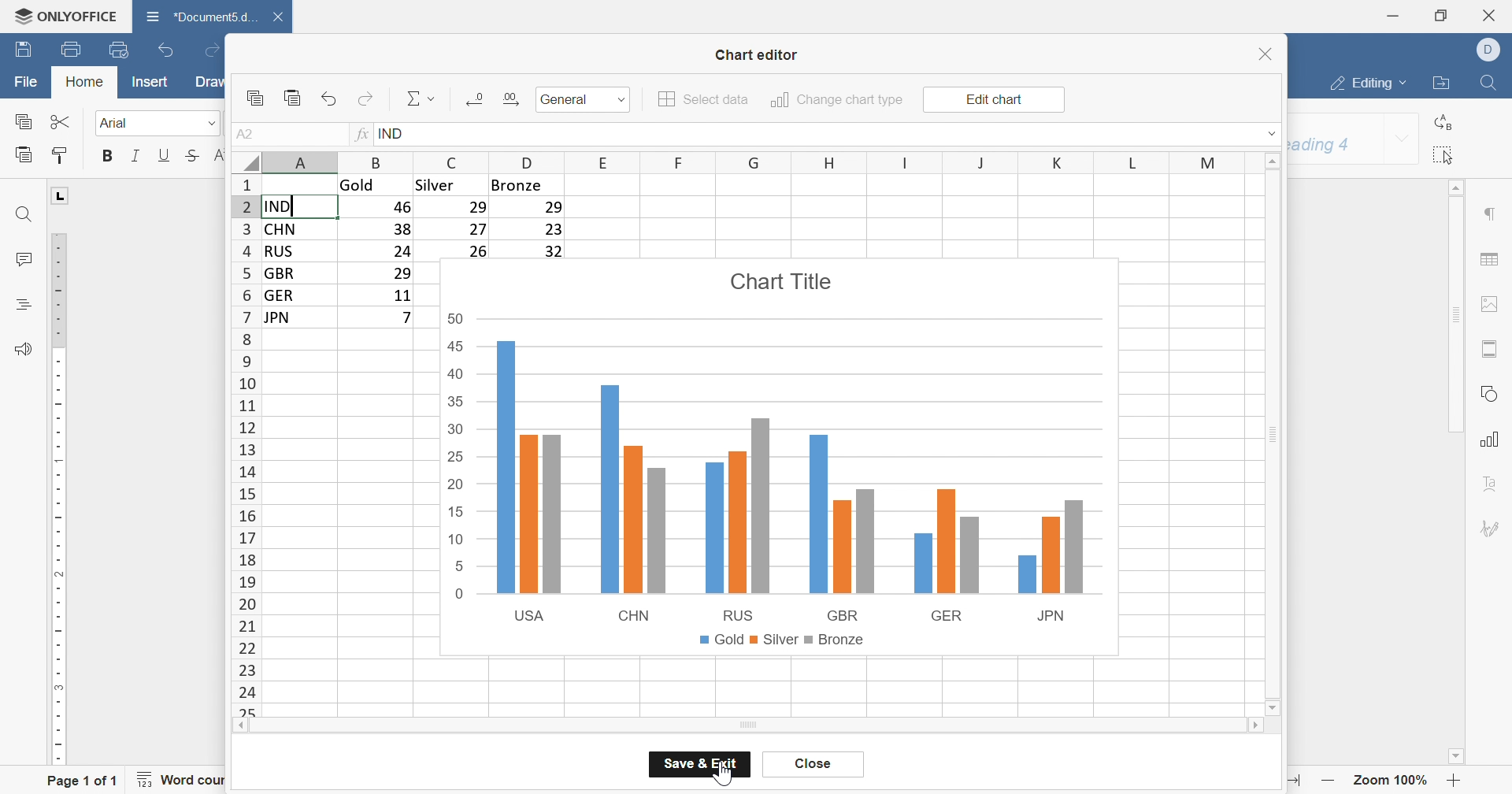 This screenshot has height=794, width=1512. Describe the element at coordinates (209, 49) in the screenshot. I see `redo` at that location.